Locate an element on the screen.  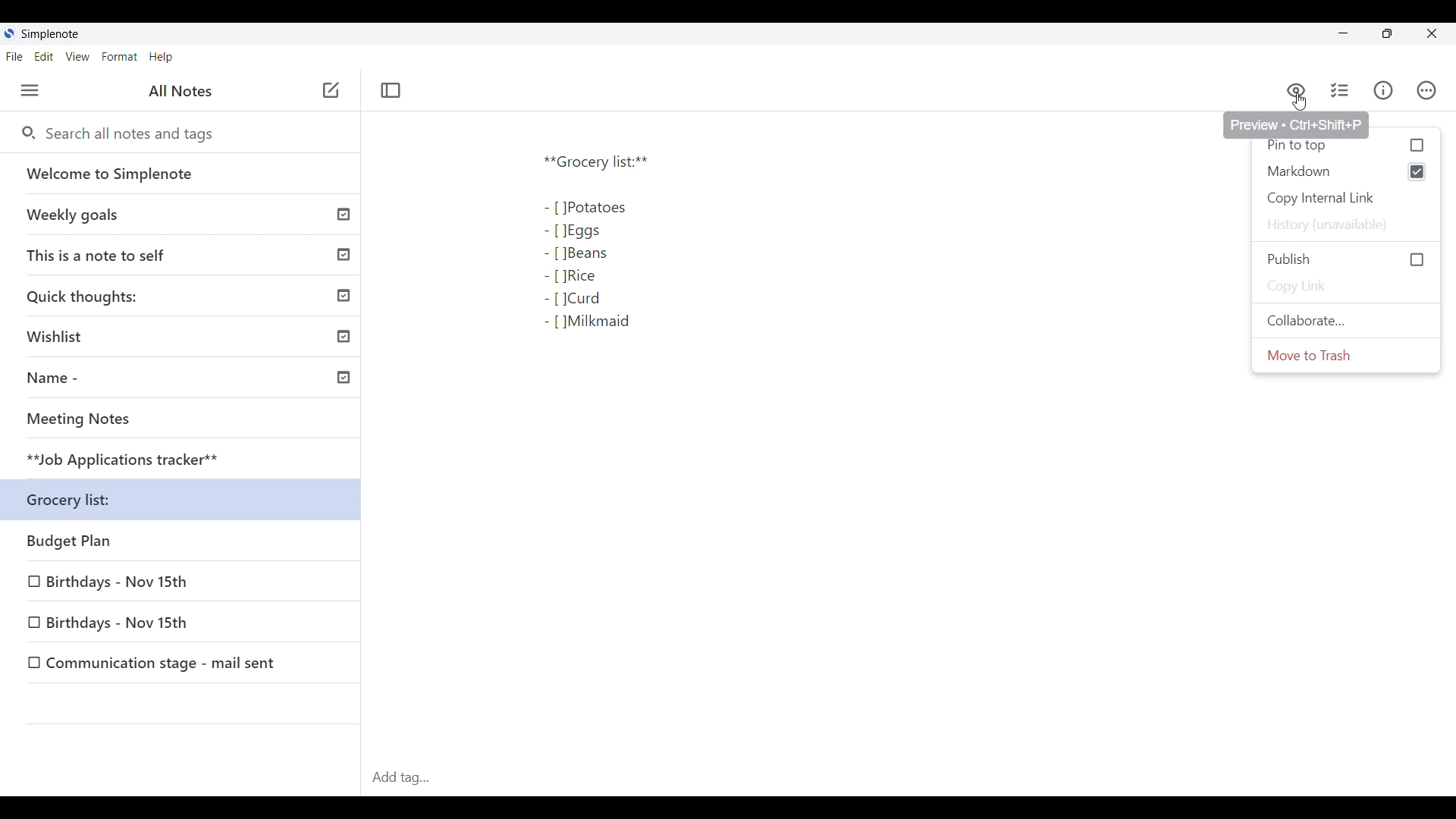
Name - is located at coordinates (187, 380).